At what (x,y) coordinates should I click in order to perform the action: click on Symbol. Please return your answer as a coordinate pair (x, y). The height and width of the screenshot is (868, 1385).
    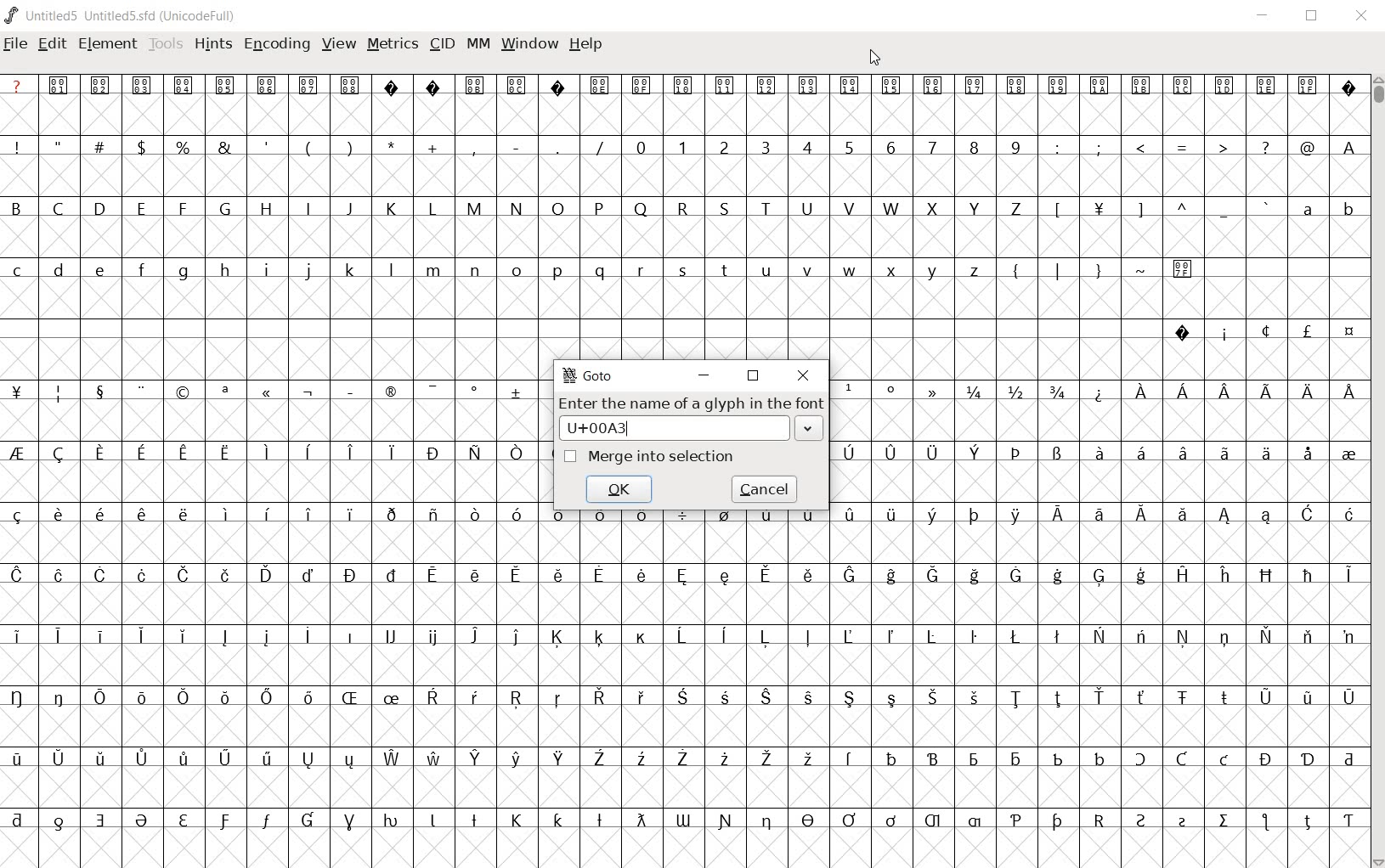
    Looking at the image, I should click on (517, 699).